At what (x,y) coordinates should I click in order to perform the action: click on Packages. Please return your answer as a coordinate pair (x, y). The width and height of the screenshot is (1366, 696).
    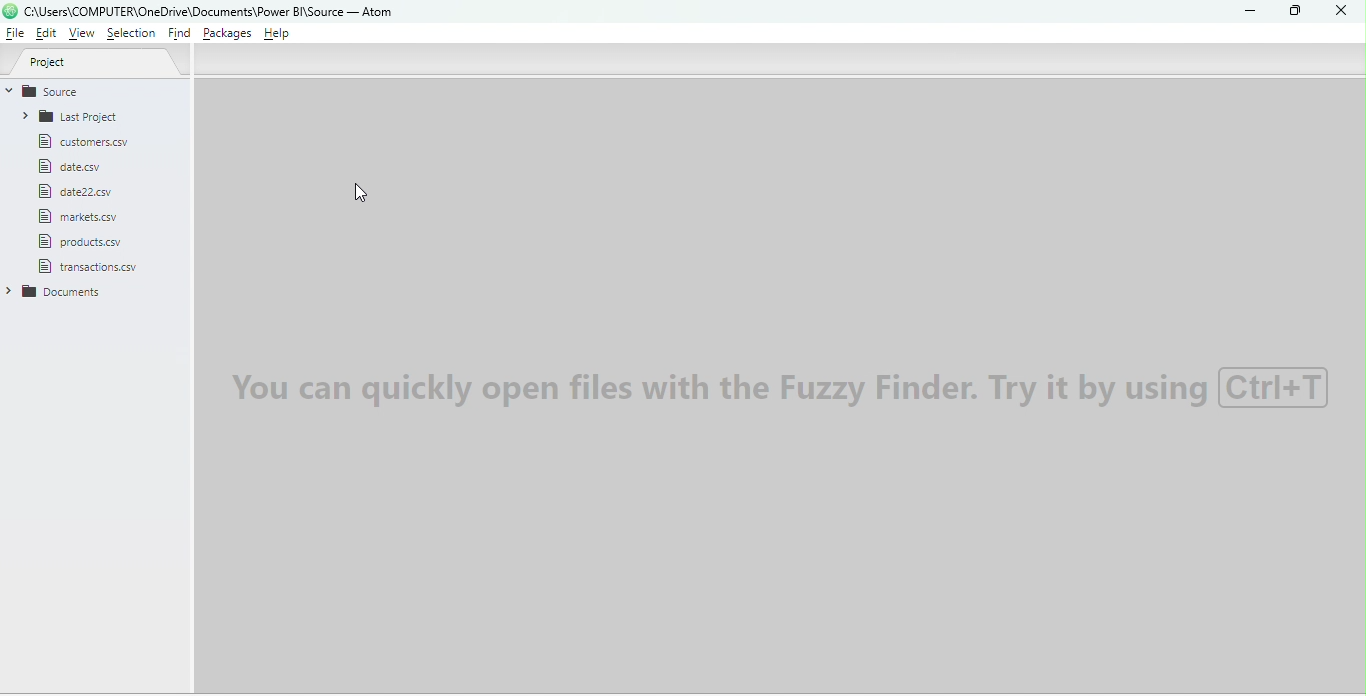
    Looking at the image, I should click on (225, 35).